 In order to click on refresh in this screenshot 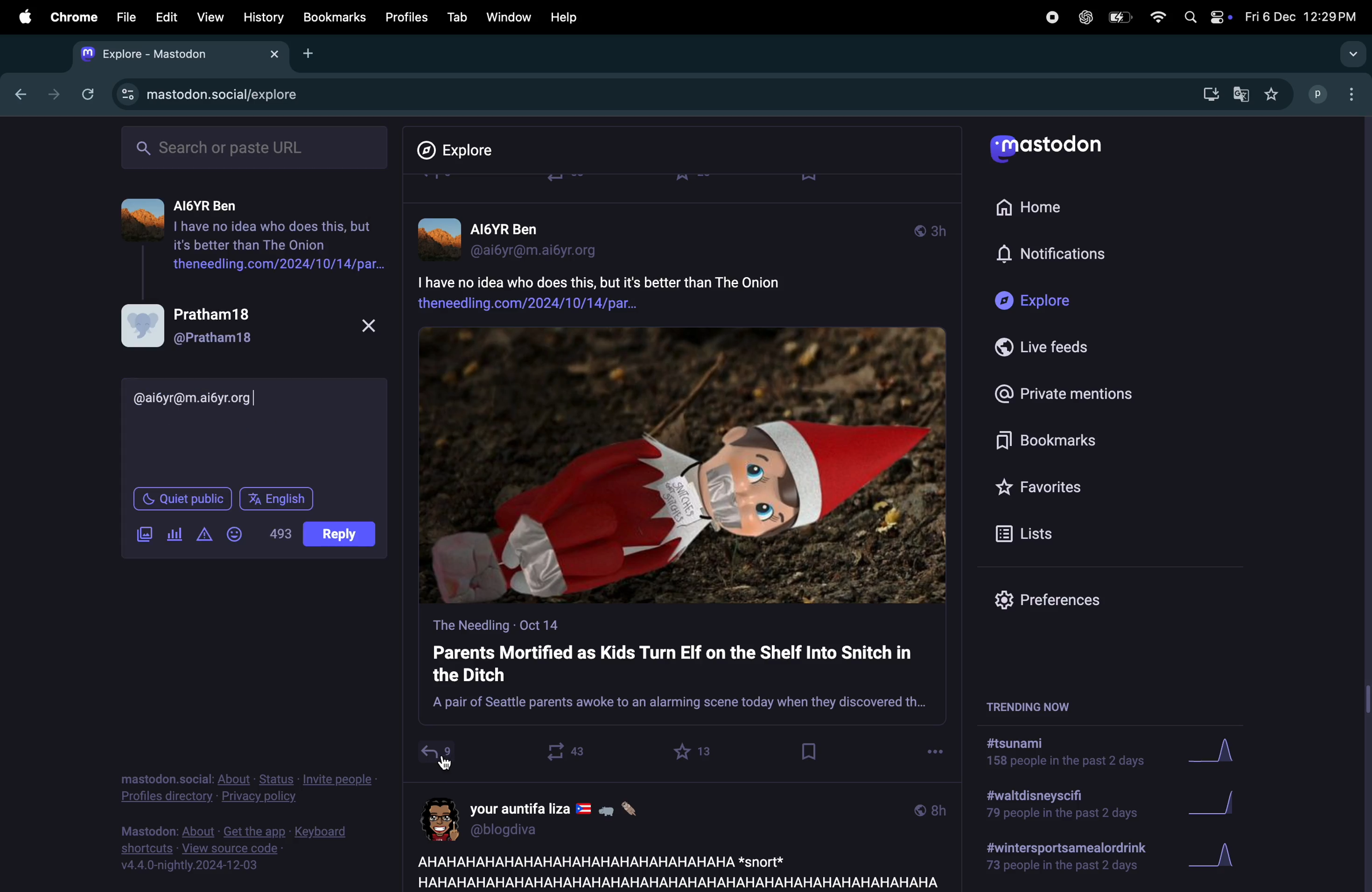, I will do `click(85, 94)`.